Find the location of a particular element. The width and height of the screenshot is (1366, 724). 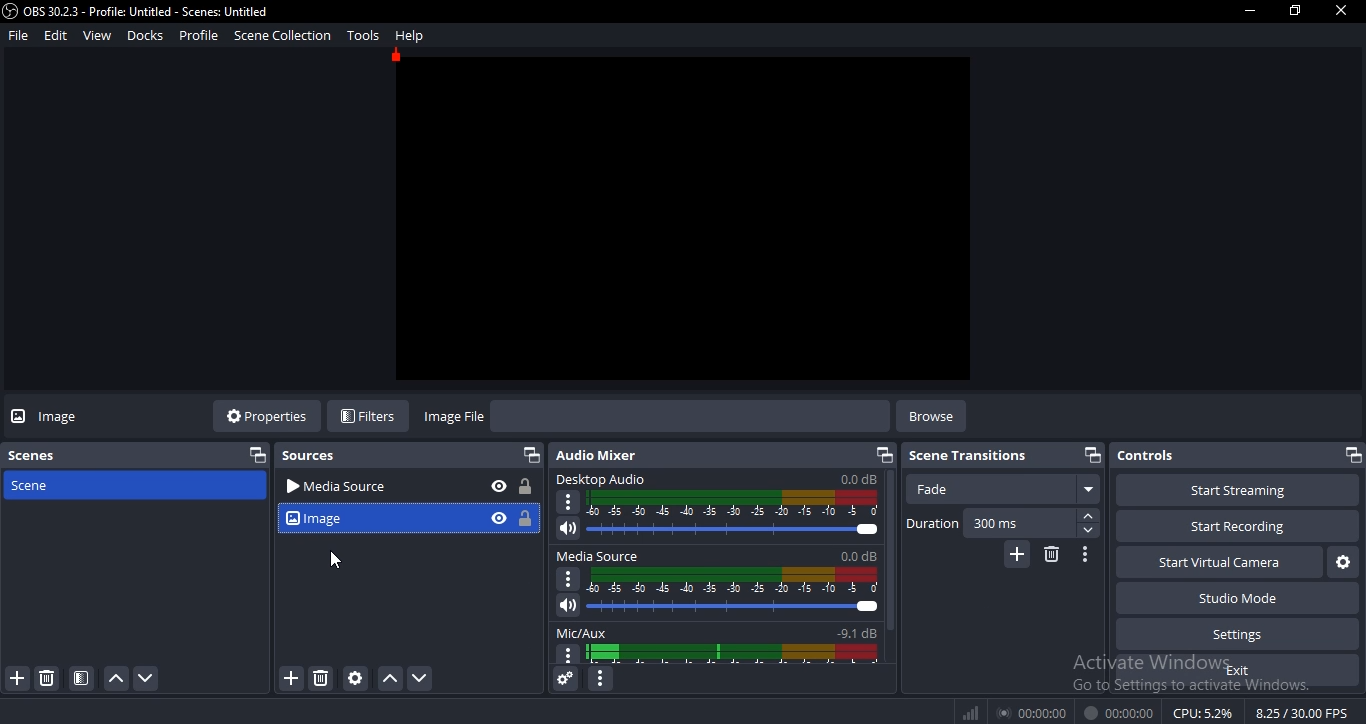

studio mode is located at coordinates (1240, 601).